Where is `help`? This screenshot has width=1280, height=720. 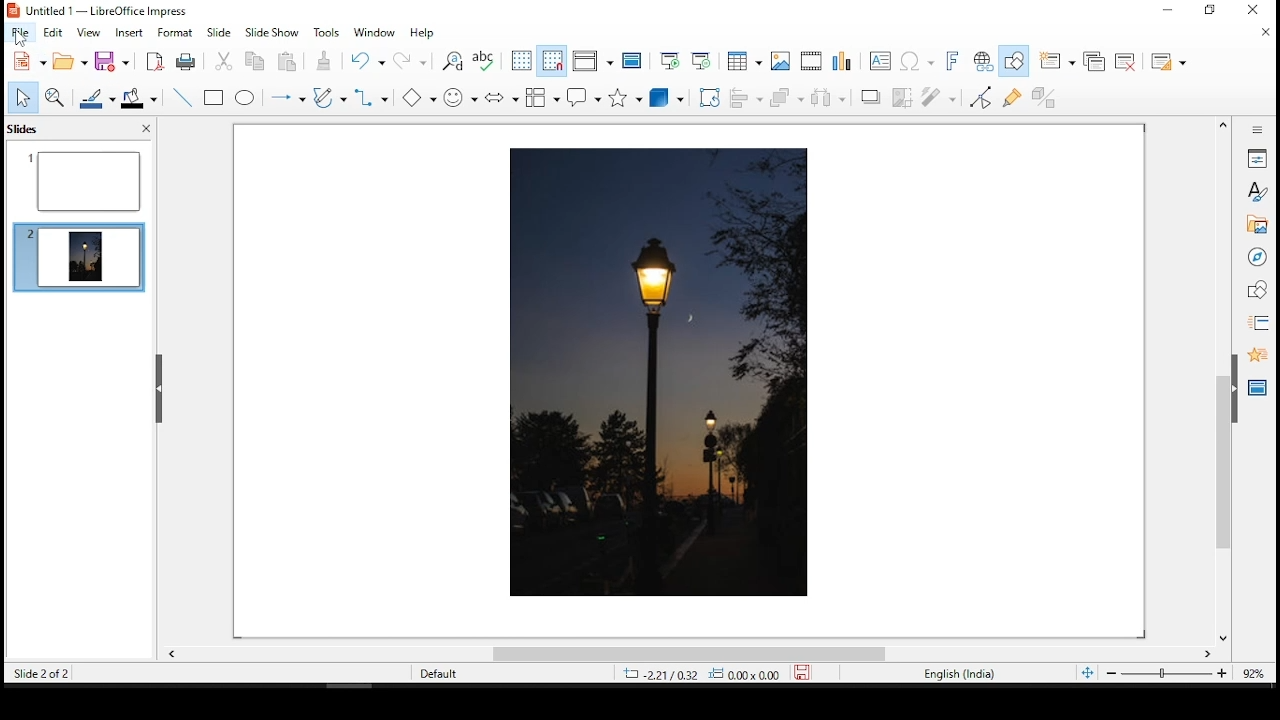 help is located at coordinates (425, 34).